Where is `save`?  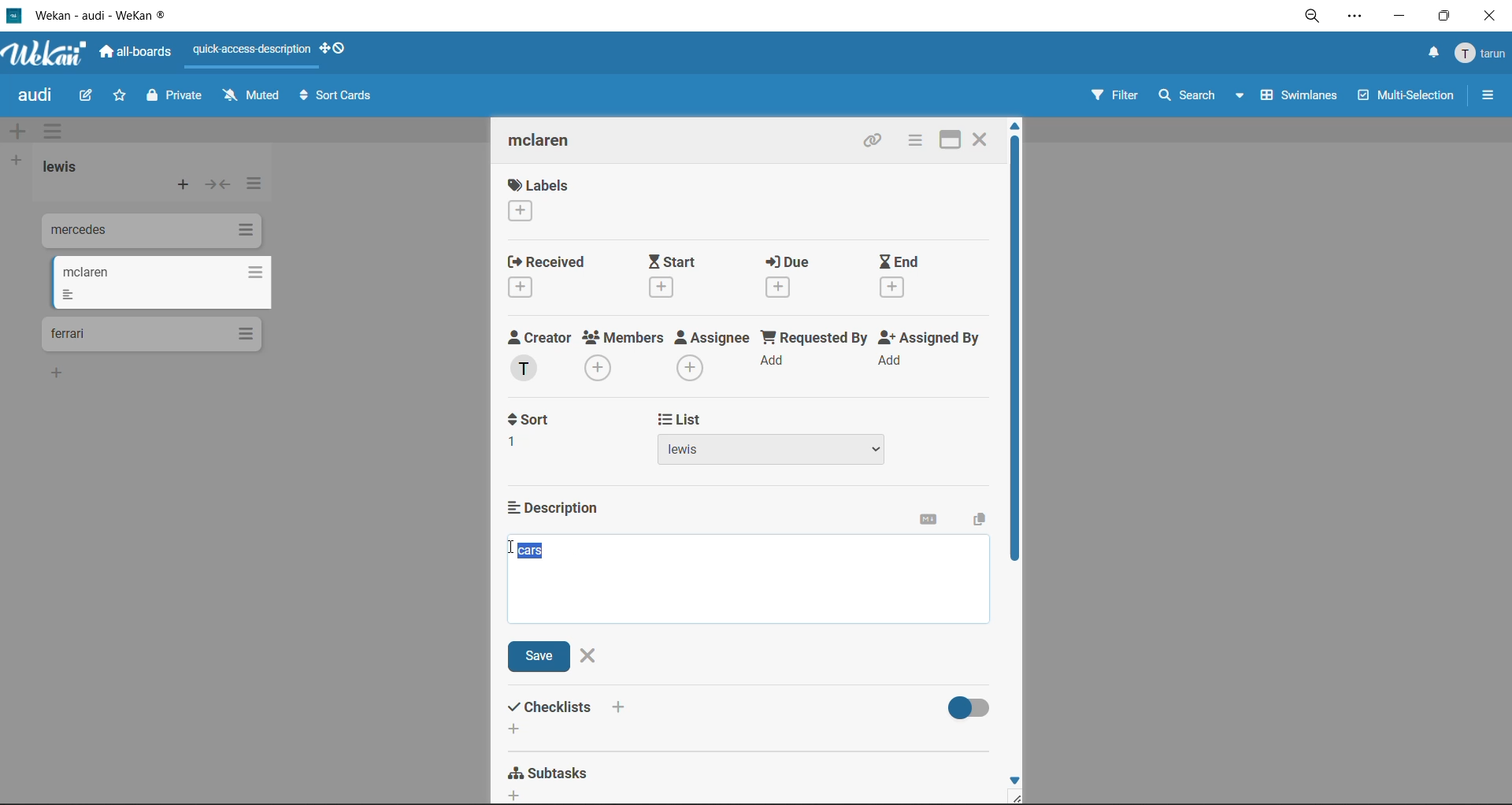
save is located at coordinates (542, 657).